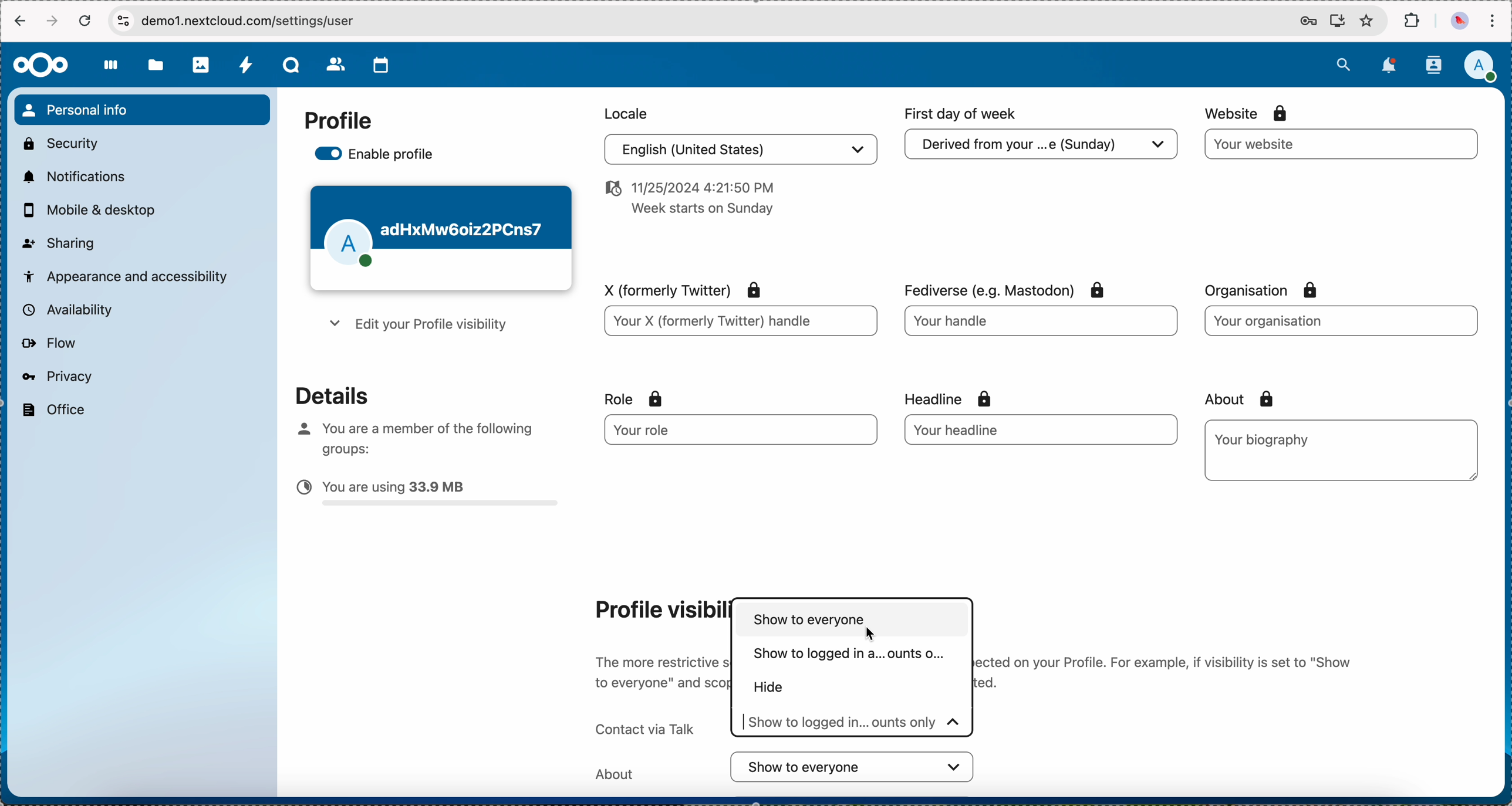  I want to click on hide, so click(773, 689).